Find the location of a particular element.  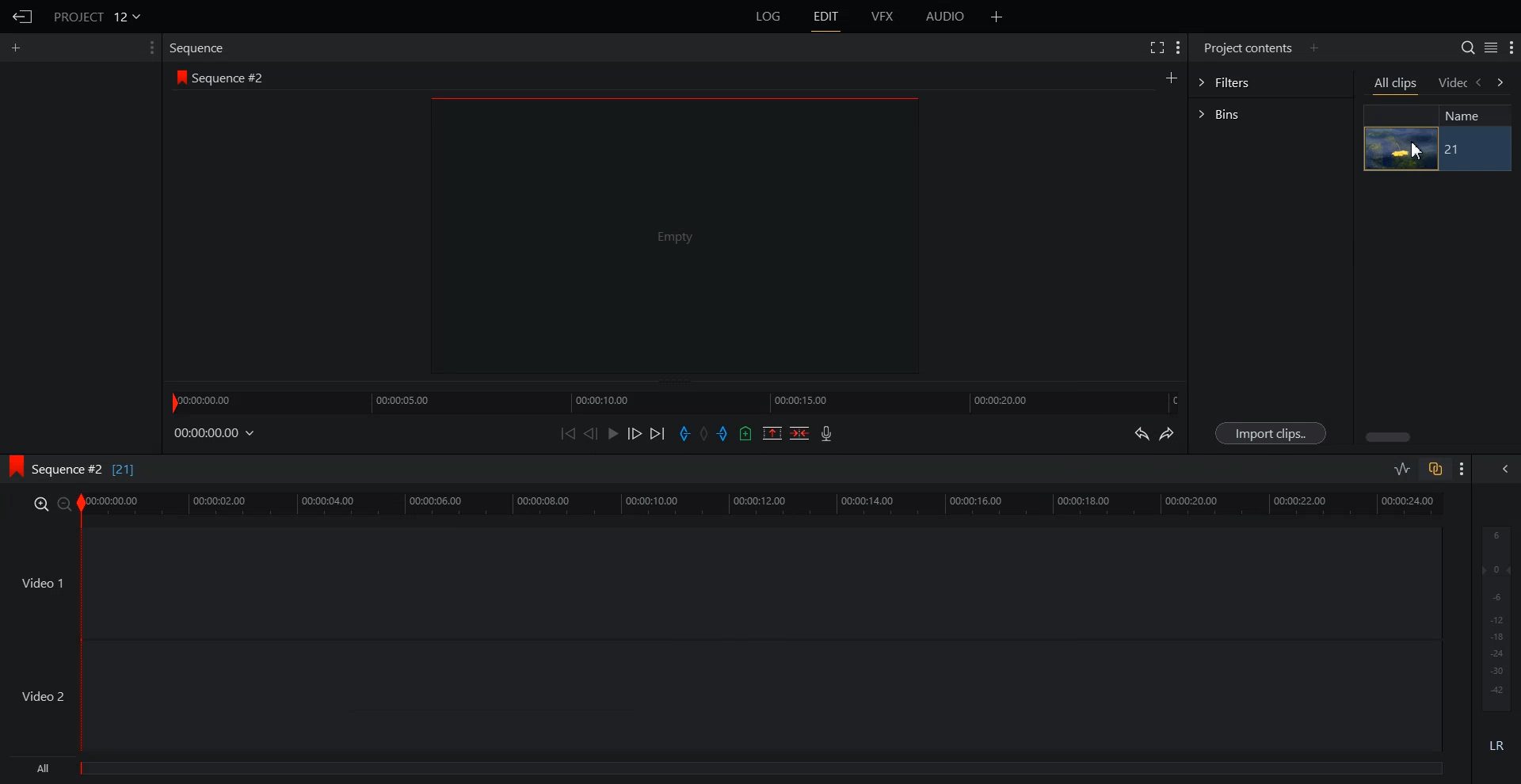

backward is located at coordinates (1481, 84).